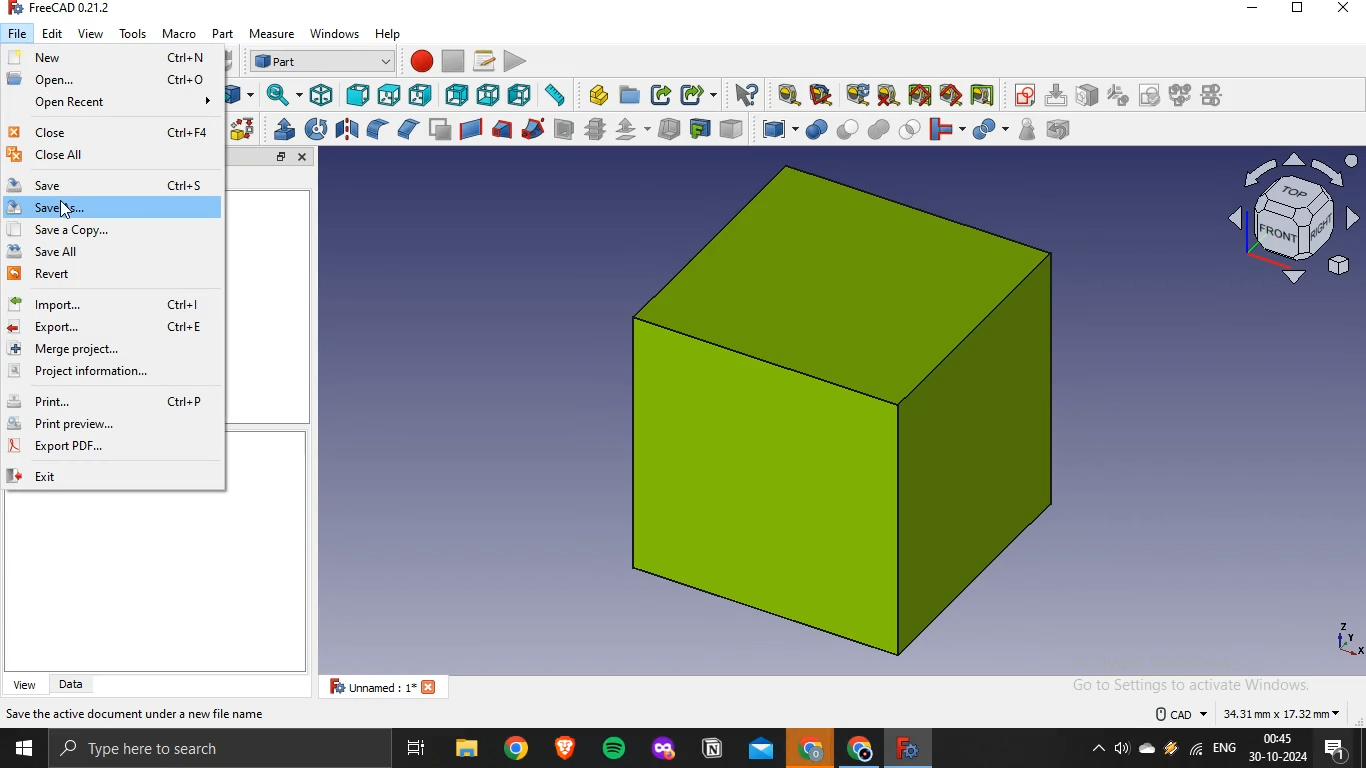  I want to click on macro, so click(178, 34).